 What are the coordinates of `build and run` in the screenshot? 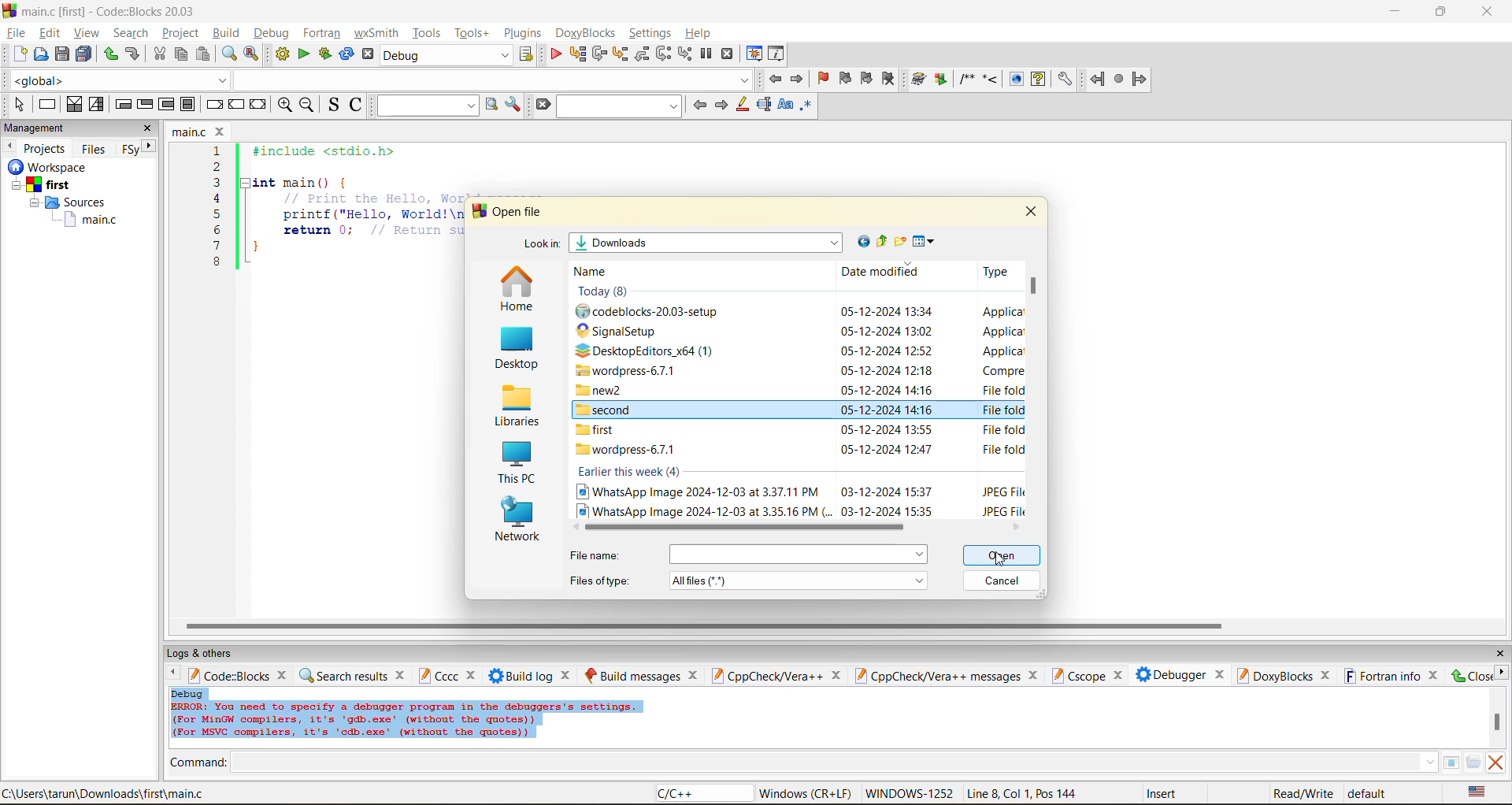 It's located at (325, 54).